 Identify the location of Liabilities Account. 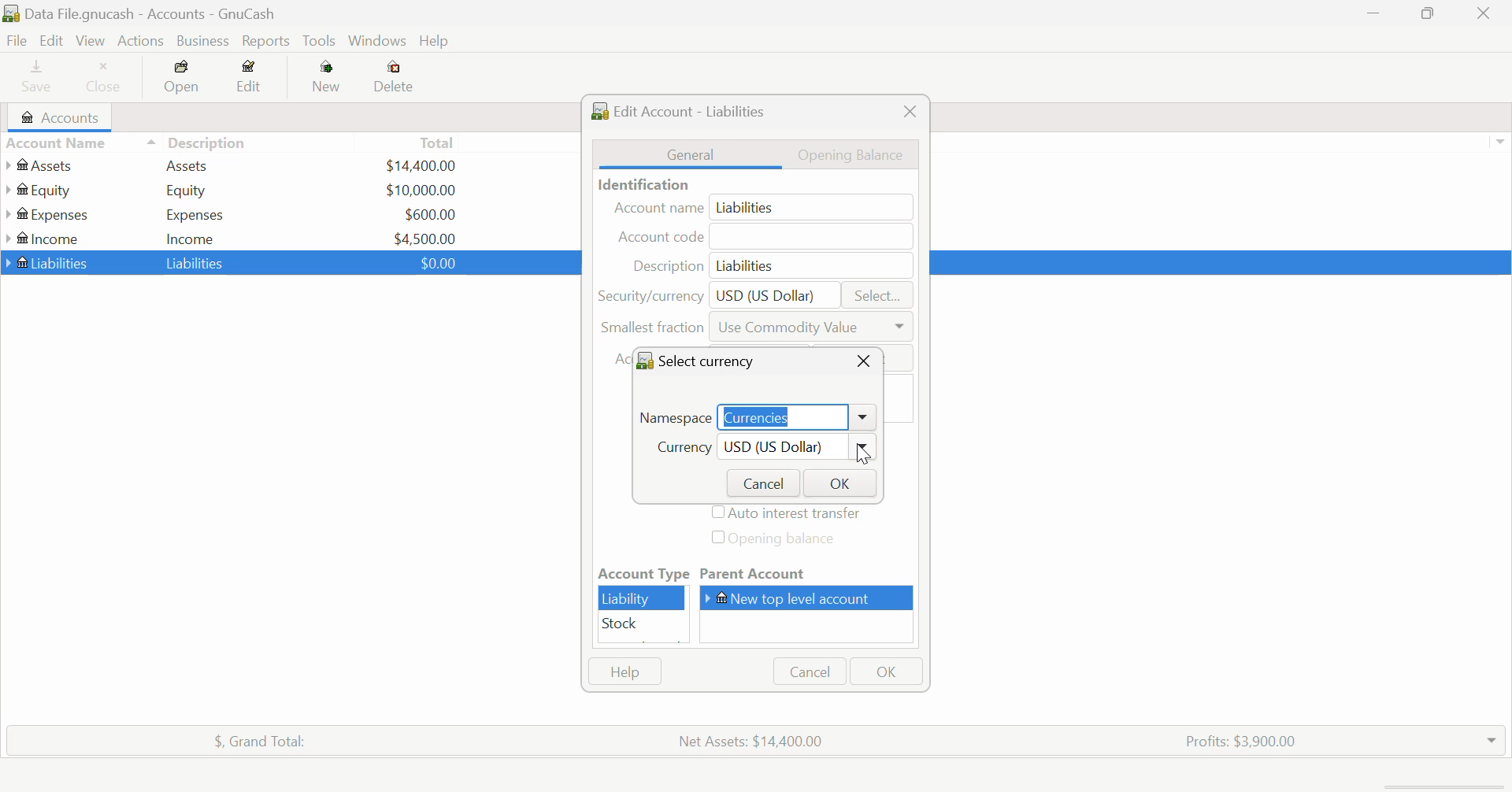
(48, 261).